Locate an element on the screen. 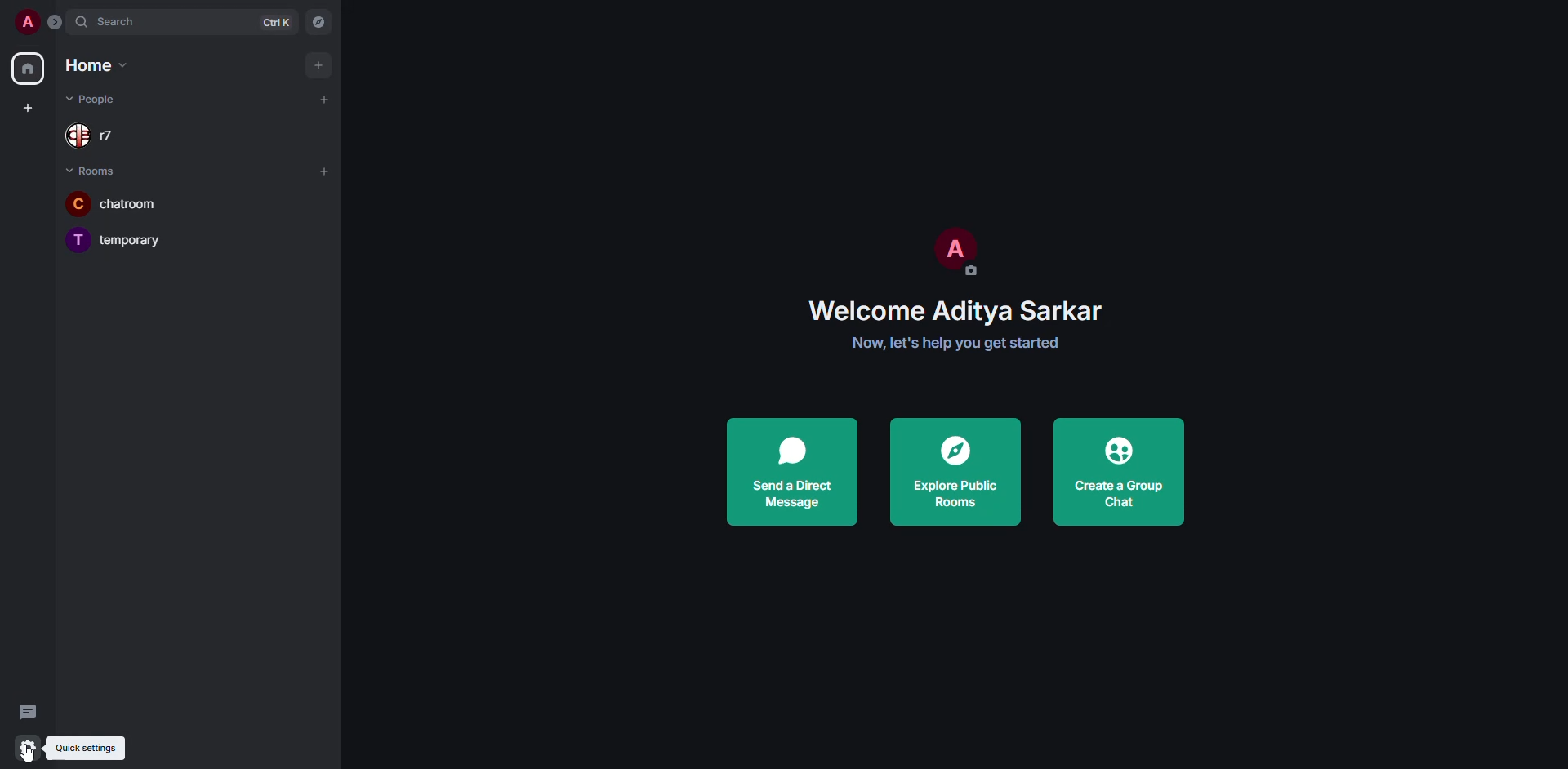 This screenshot has width=1568, height=769. threads is located at coordinates (26, 709).